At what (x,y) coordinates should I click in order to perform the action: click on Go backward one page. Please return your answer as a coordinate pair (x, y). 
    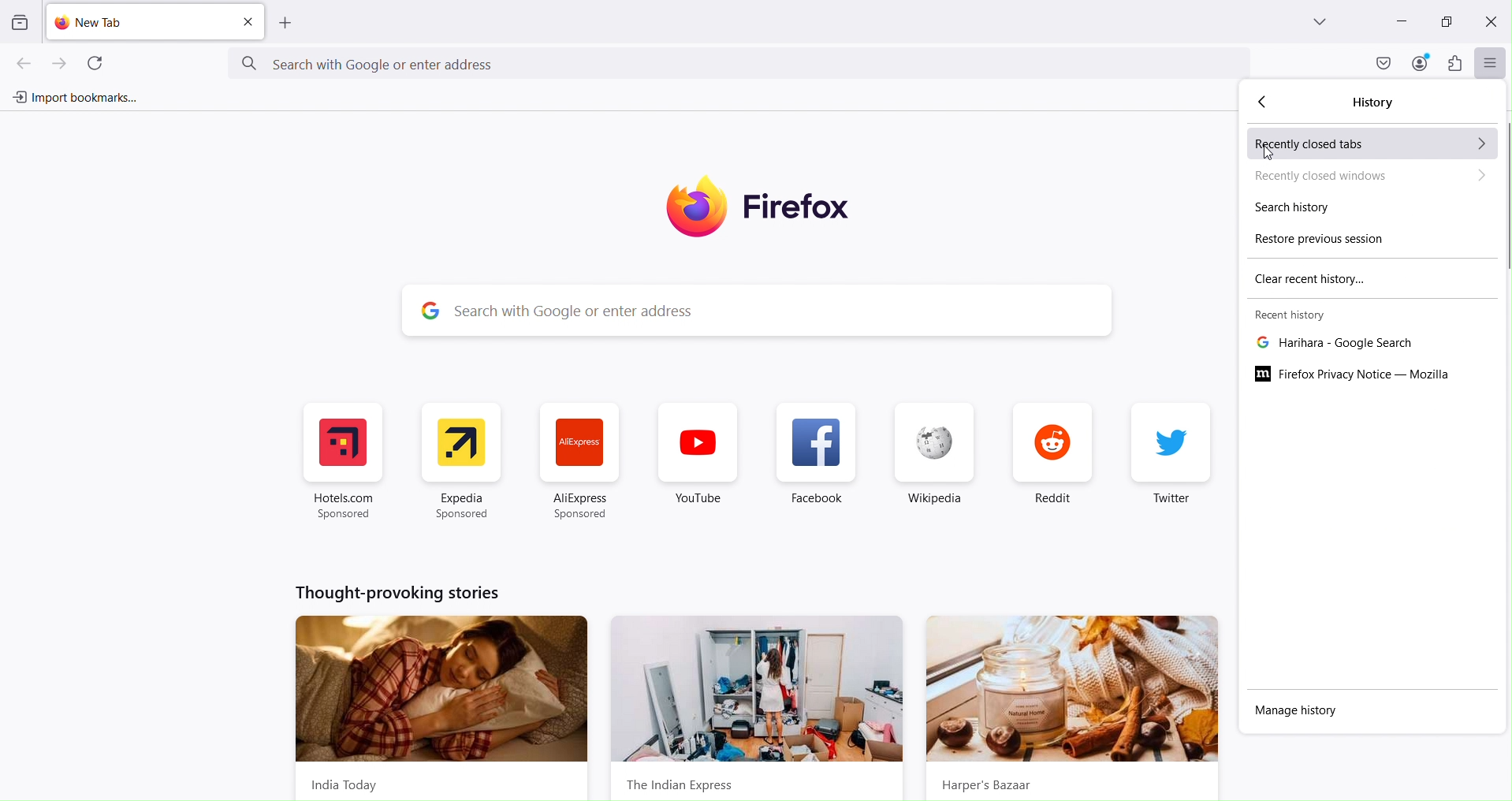
    Looking at the image, I should click on (18, 62).